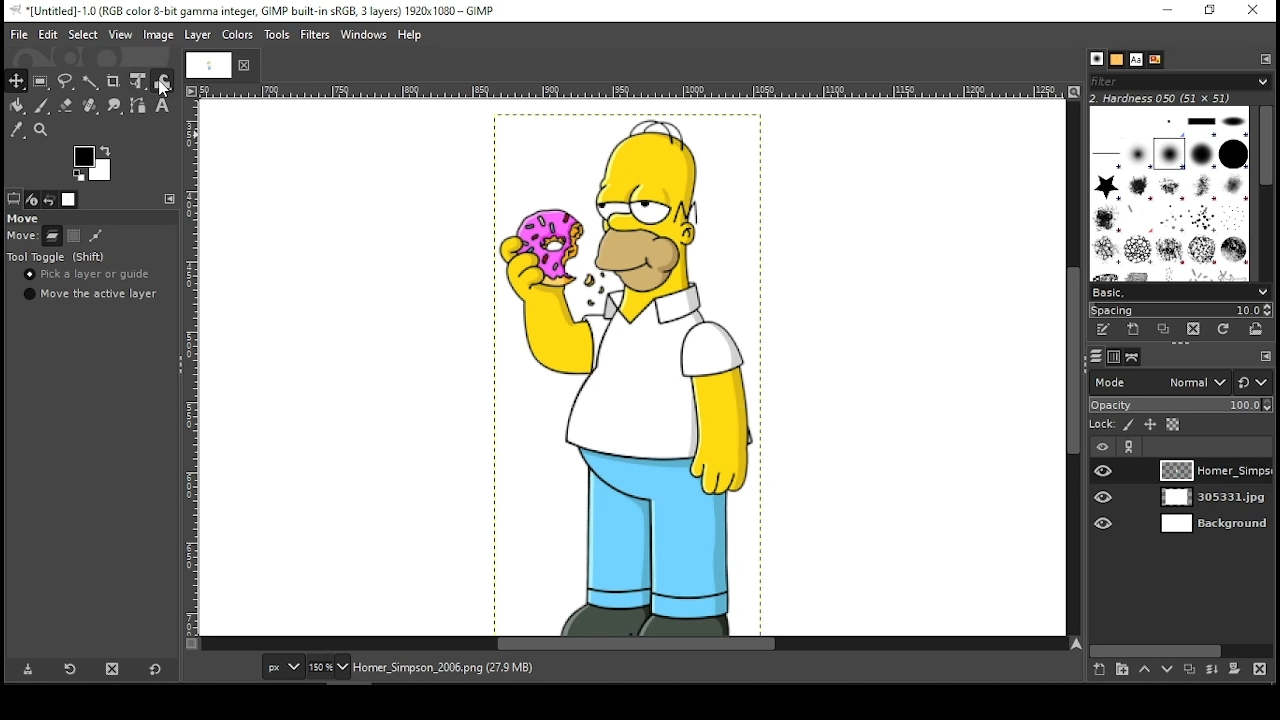  I want to click on scroll bar, so click(1268, 194).